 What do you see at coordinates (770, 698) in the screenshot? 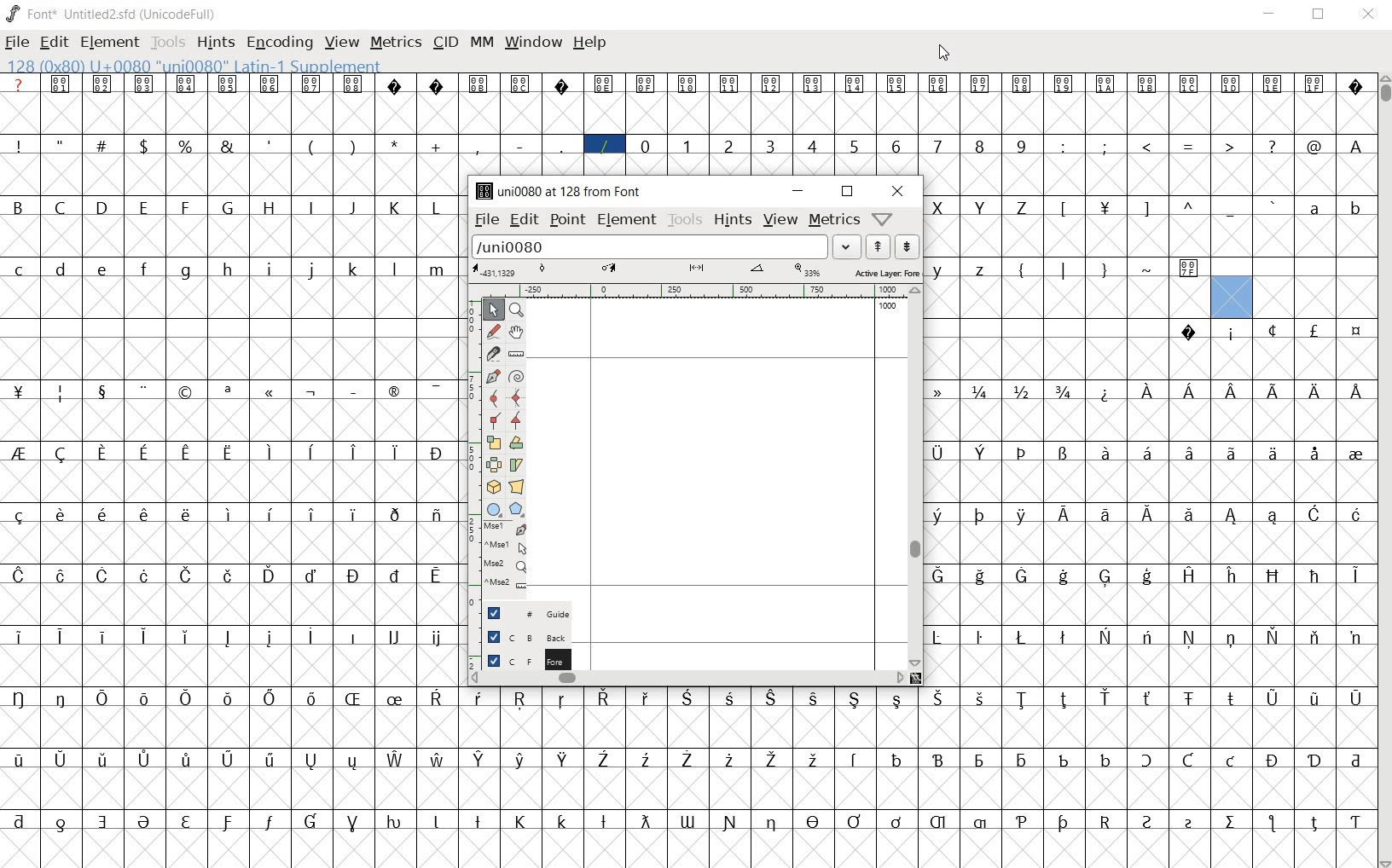
I see `glyph` at bounding box center [770, 698].